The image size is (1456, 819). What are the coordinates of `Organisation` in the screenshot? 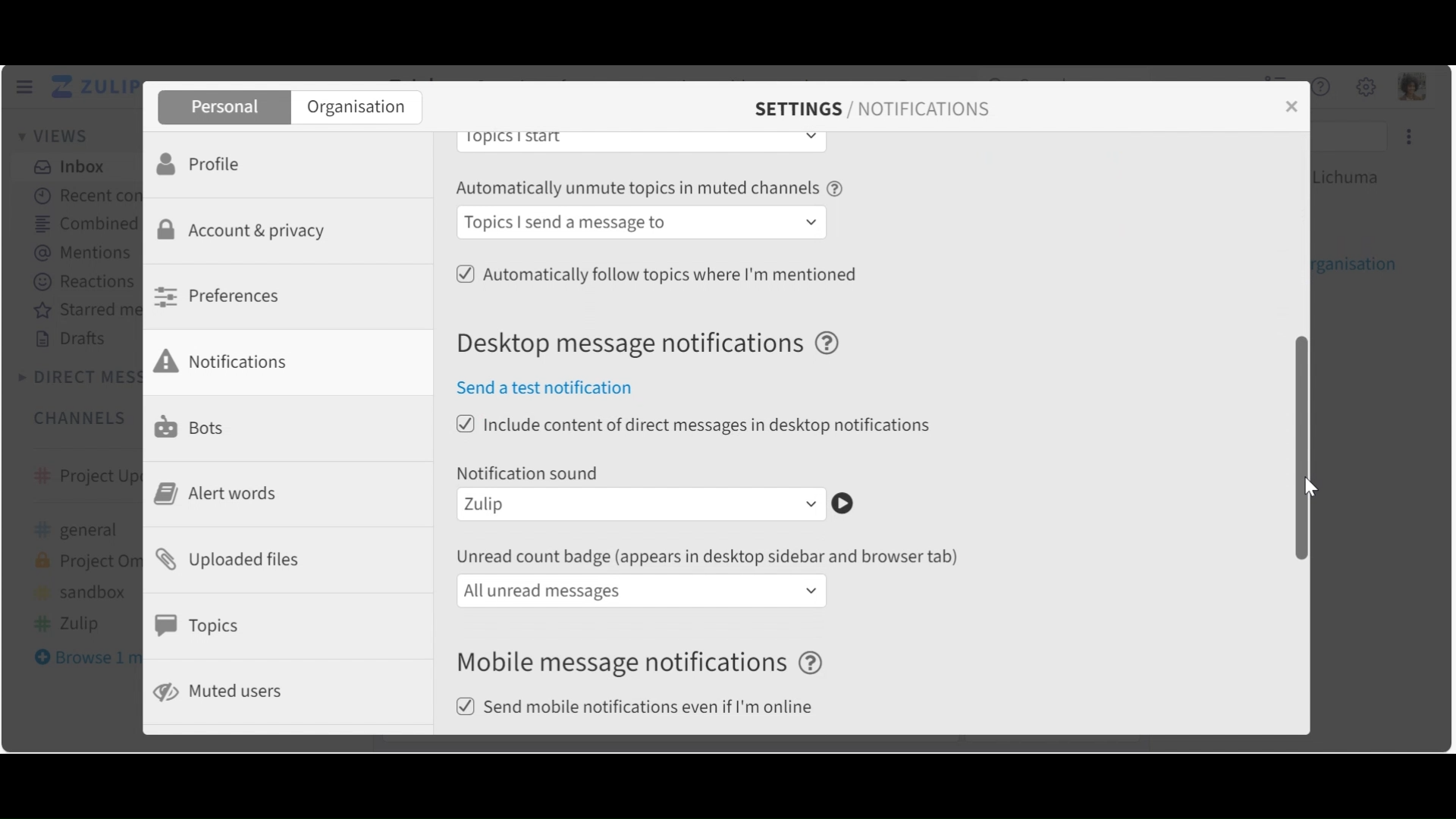 It's located at (356, 108).